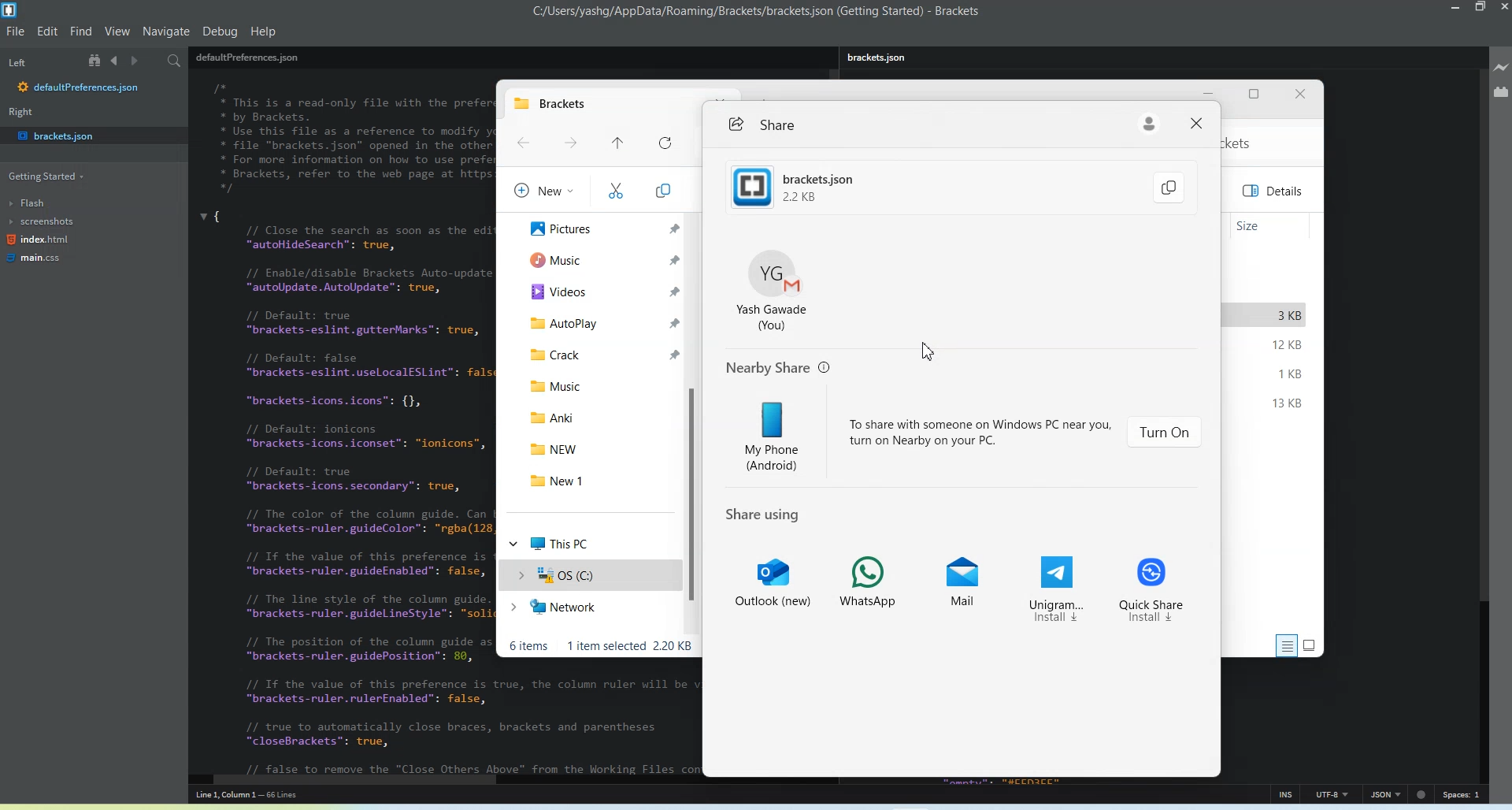  Describe the element at coordinates (38, 242) in the screenshot. I see `index.html` at that location.